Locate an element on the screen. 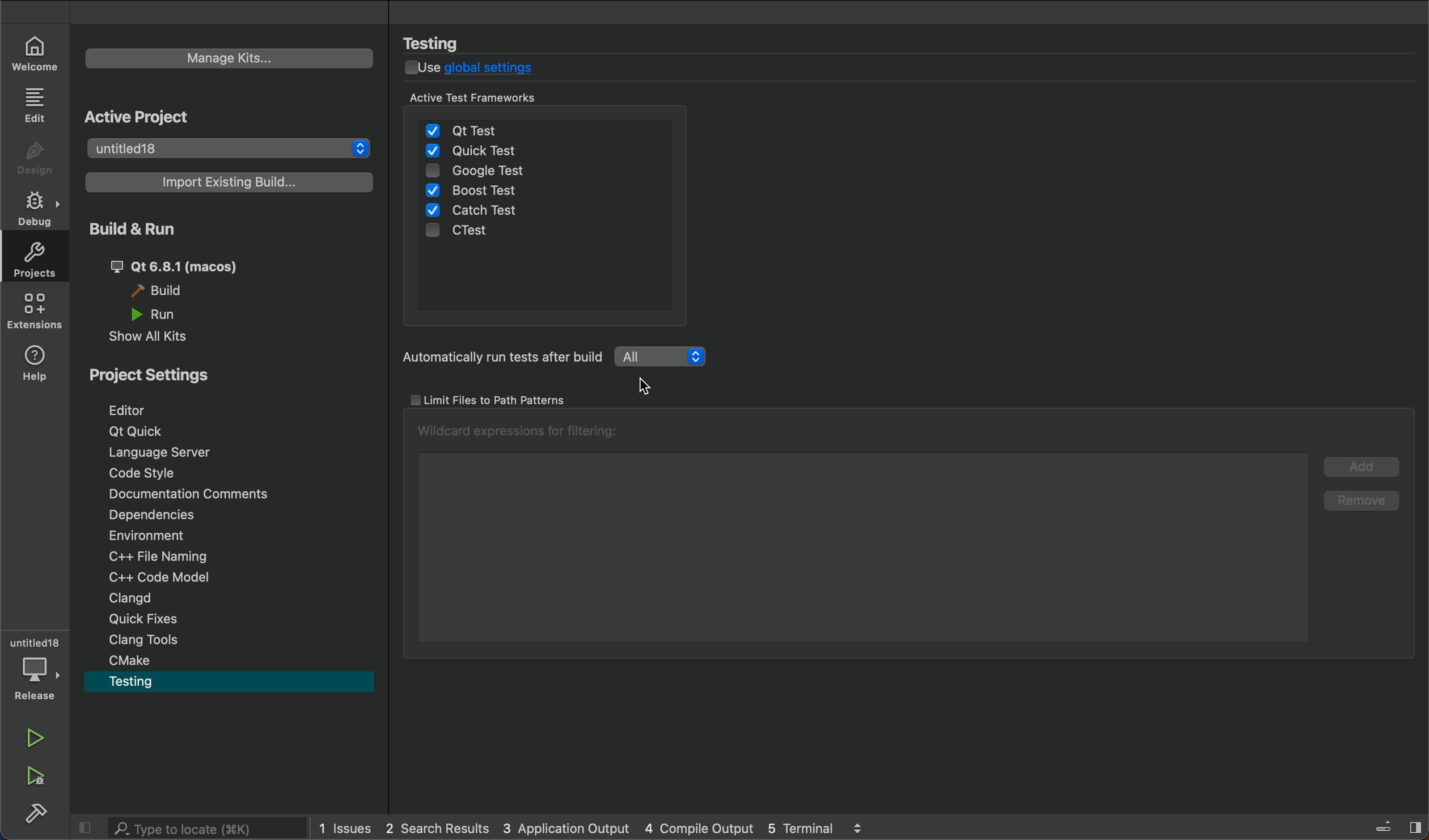  google test is located at coordinates (502, 173).